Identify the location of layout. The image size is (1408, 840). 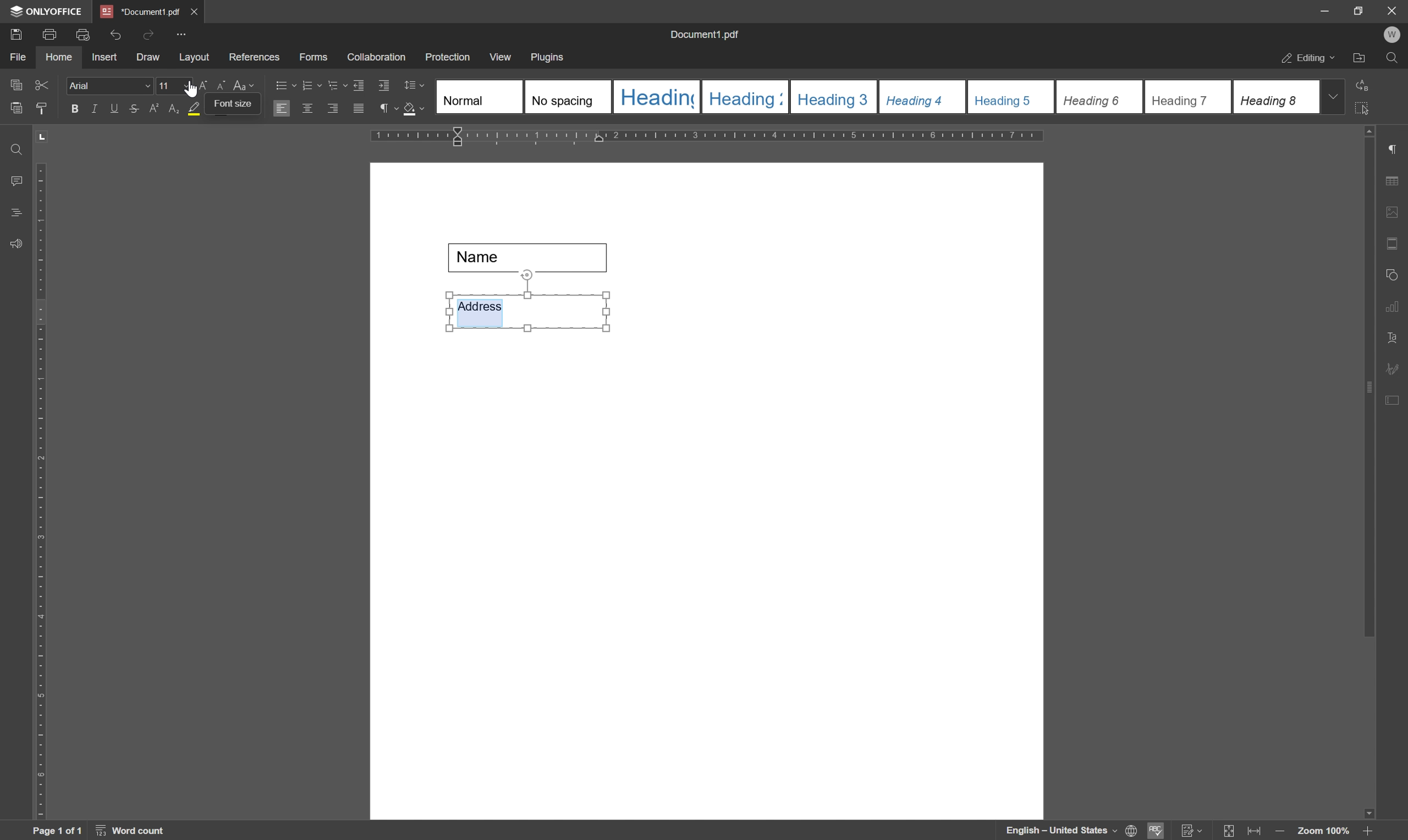
(194, 58).